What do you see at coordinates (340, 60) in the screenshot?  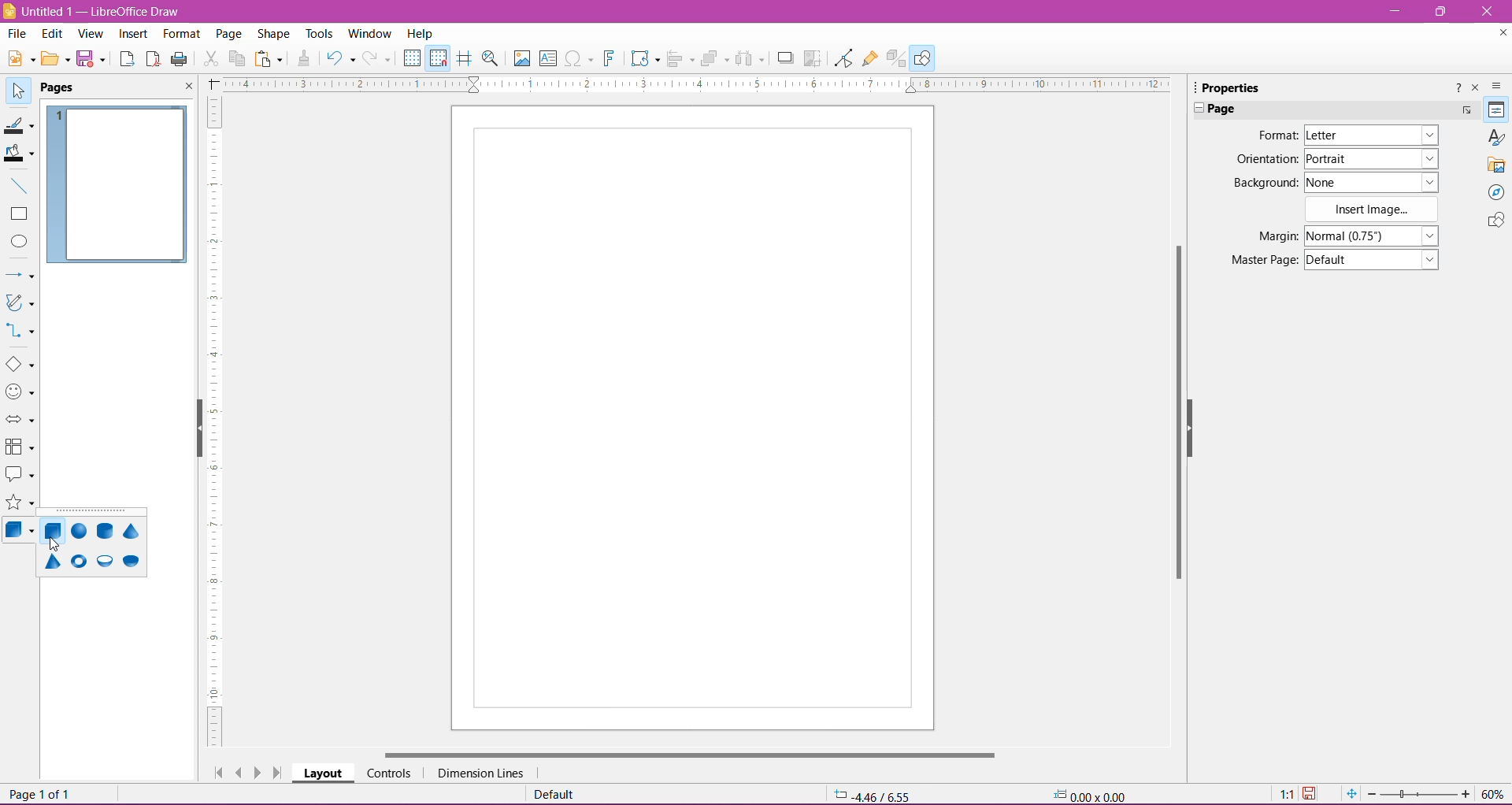 I see `Undo` at bounding box center [340, 60].